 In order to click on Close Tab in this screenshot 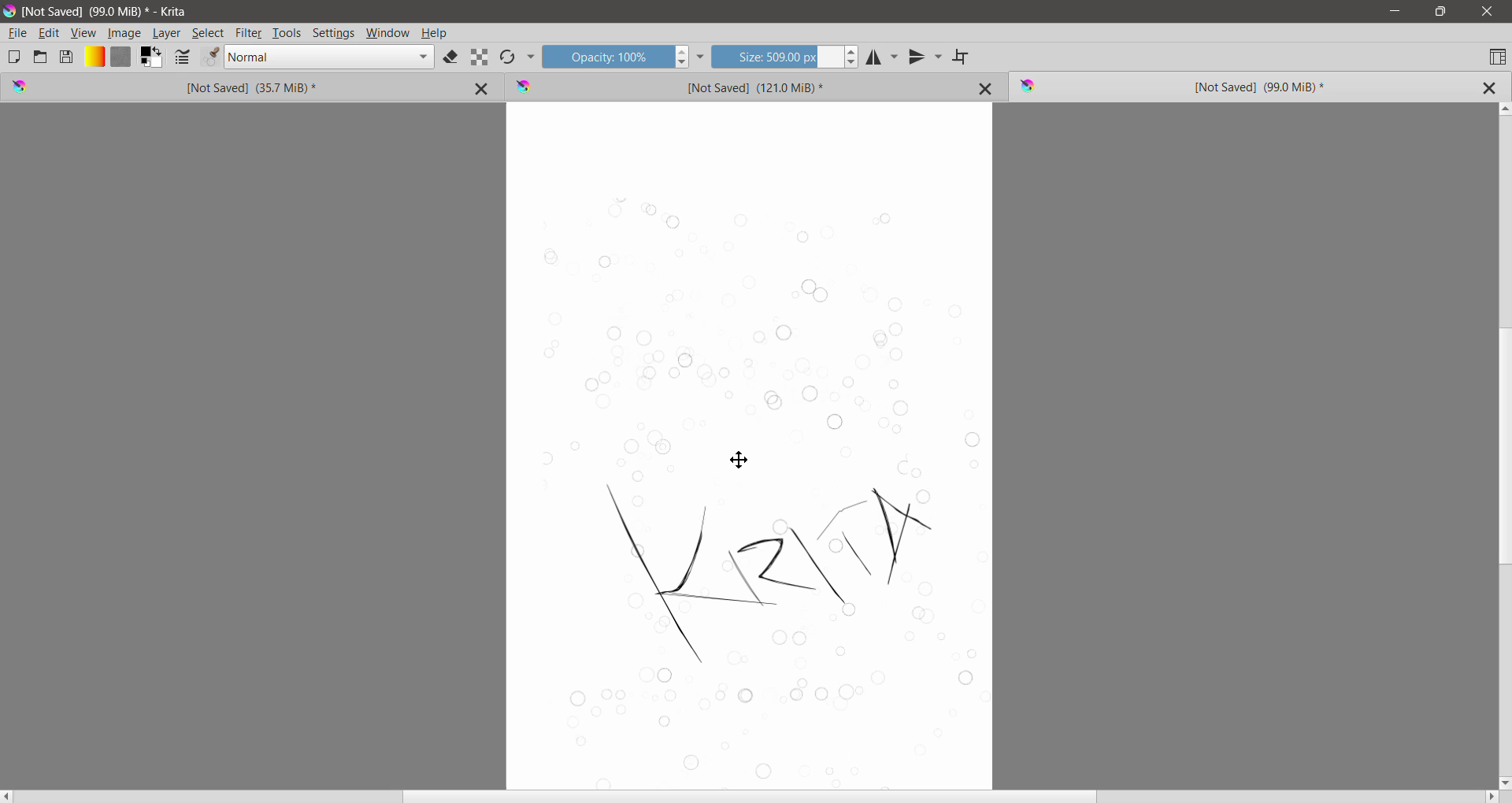, I will do `click(484, 87)`.